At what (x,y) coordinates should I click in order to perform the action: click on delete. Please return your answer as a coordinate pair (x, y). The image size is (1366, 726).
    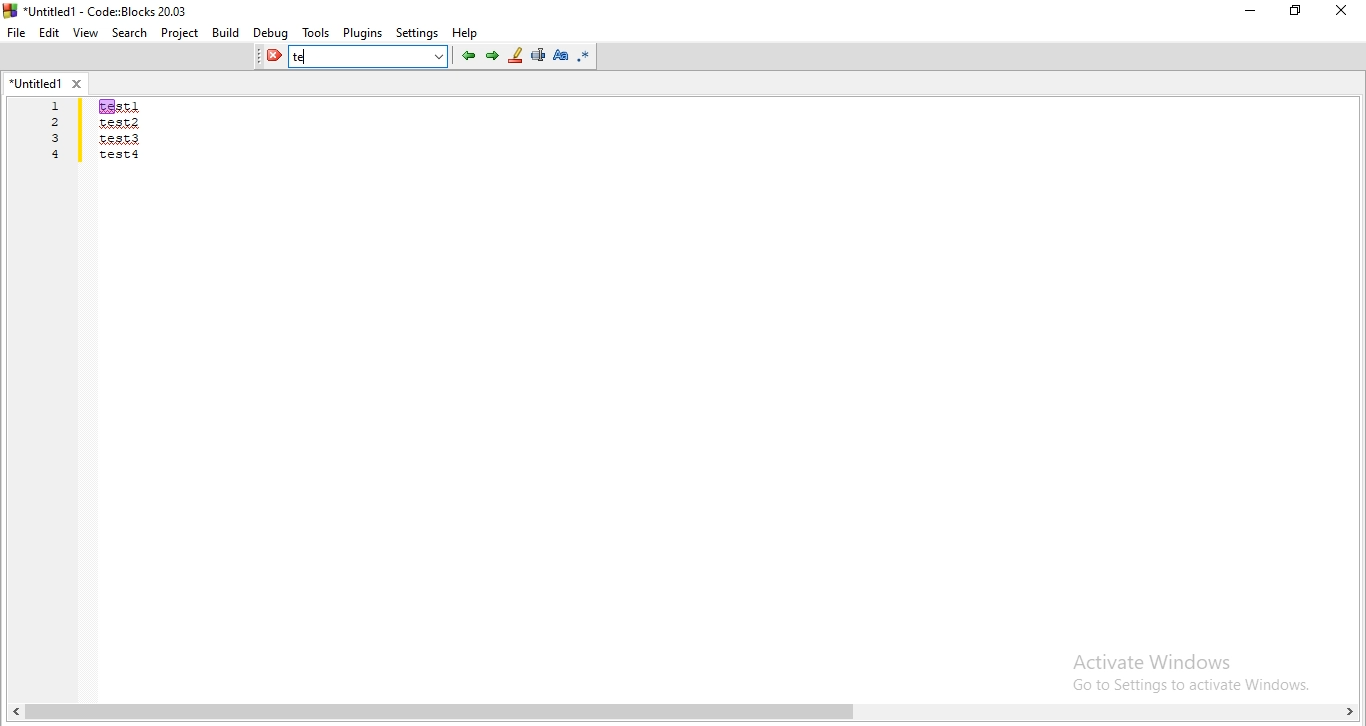
    Looking at the image, I should click on (270, 57).